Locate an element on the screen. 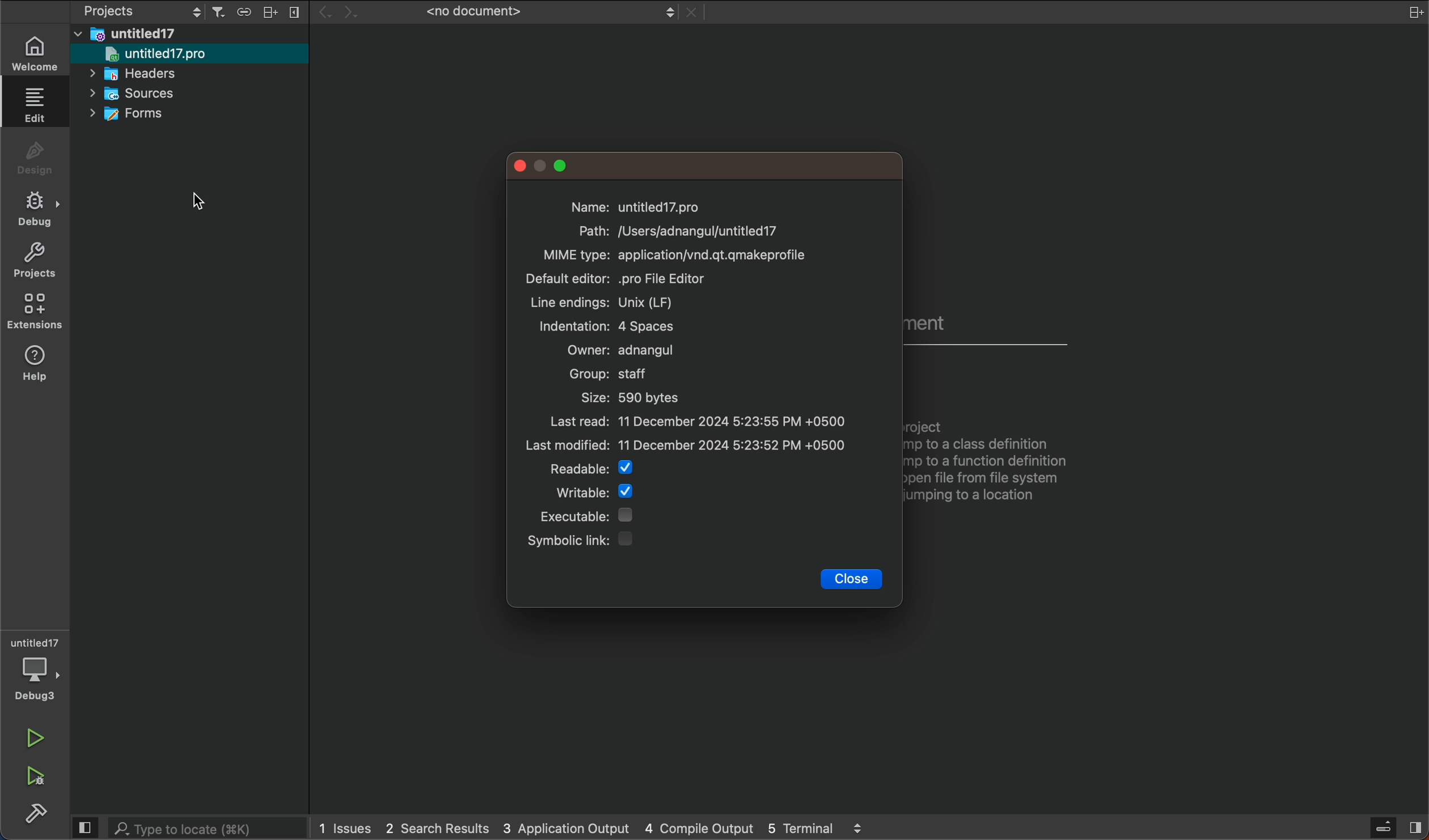 The height and width of the screenshot is (840, 1429). arrows is located at coordinates (344, 12).